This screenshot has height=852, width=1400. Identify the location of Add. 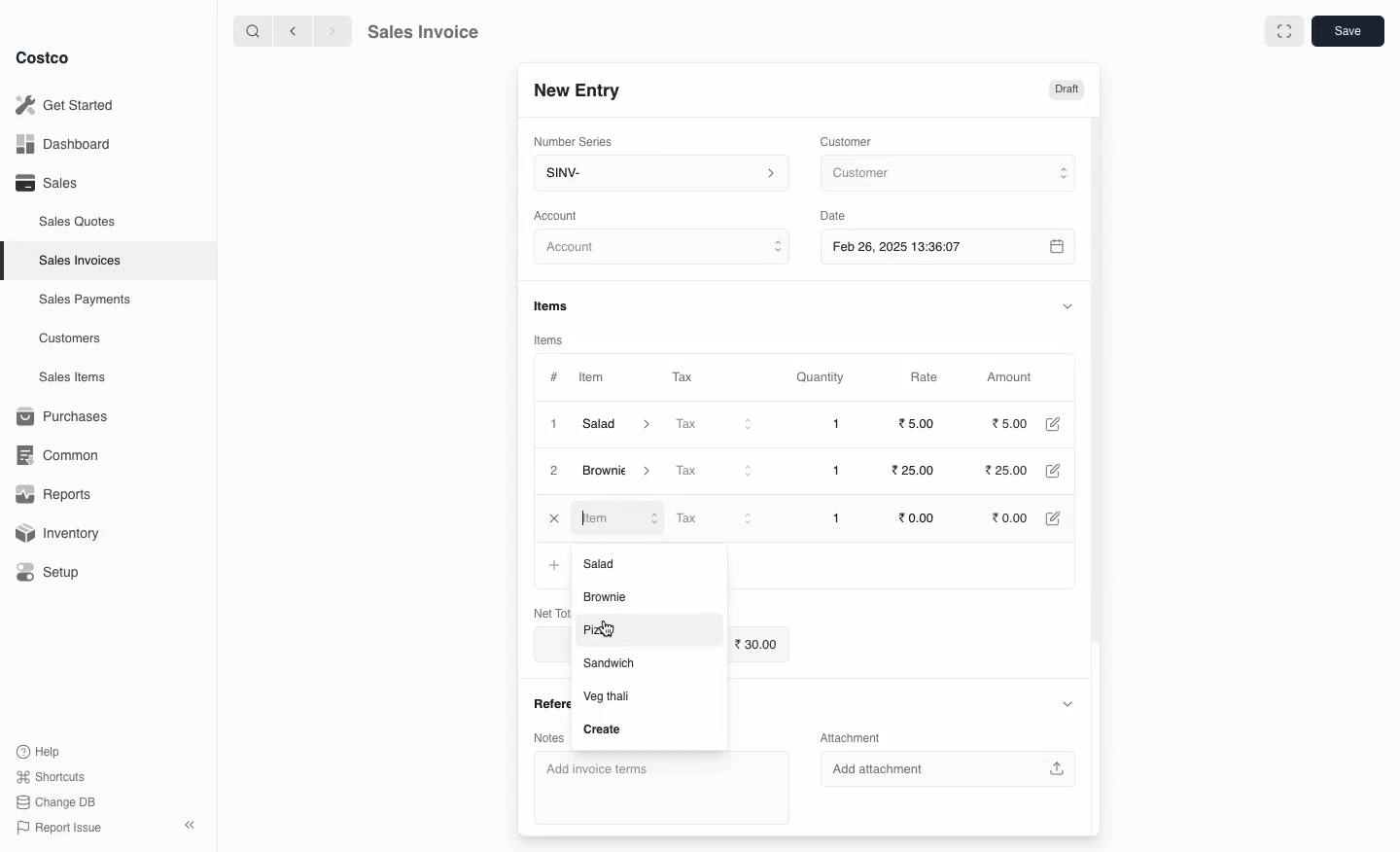
(554, 563).